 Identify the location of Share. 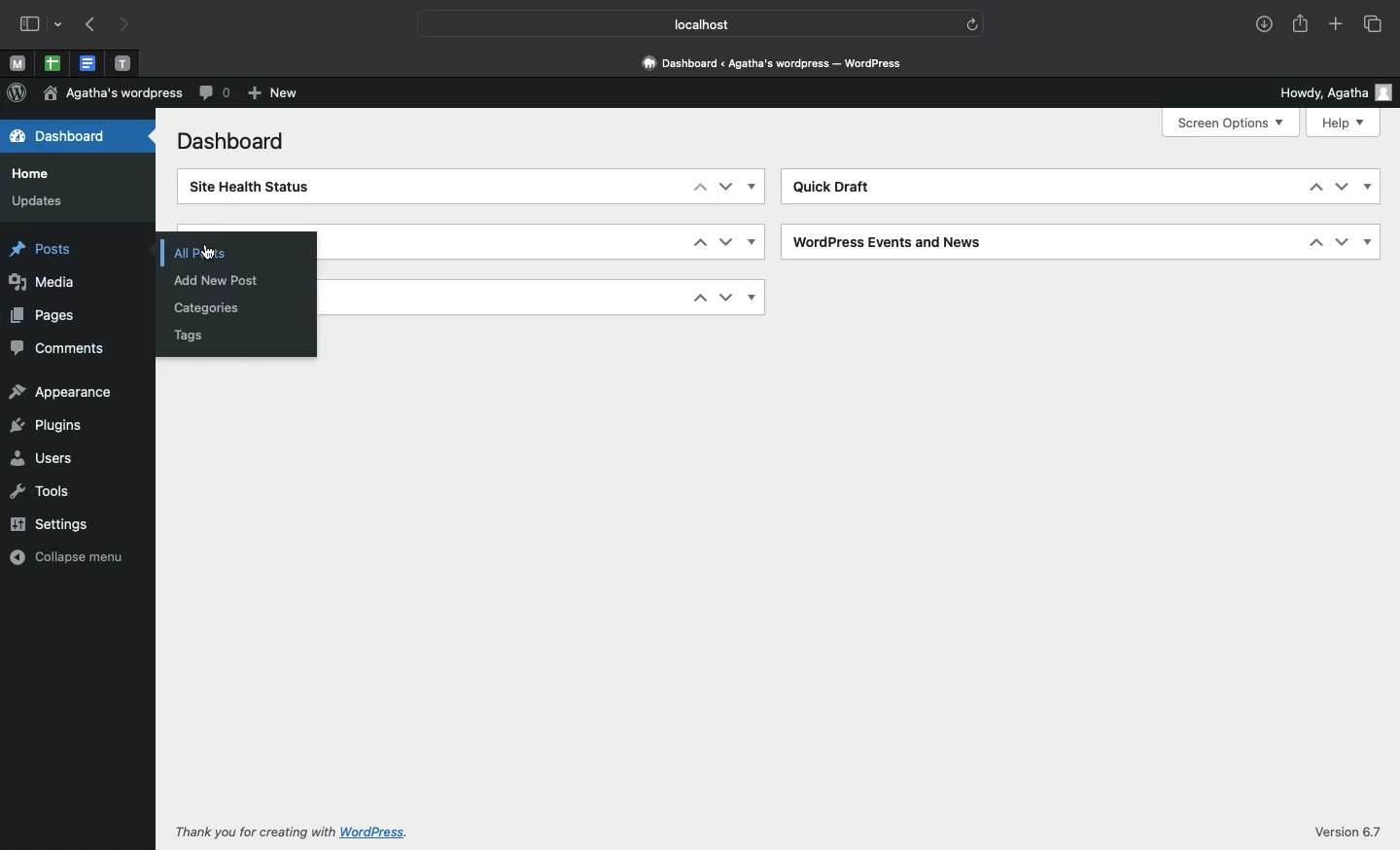
(1303, 25).